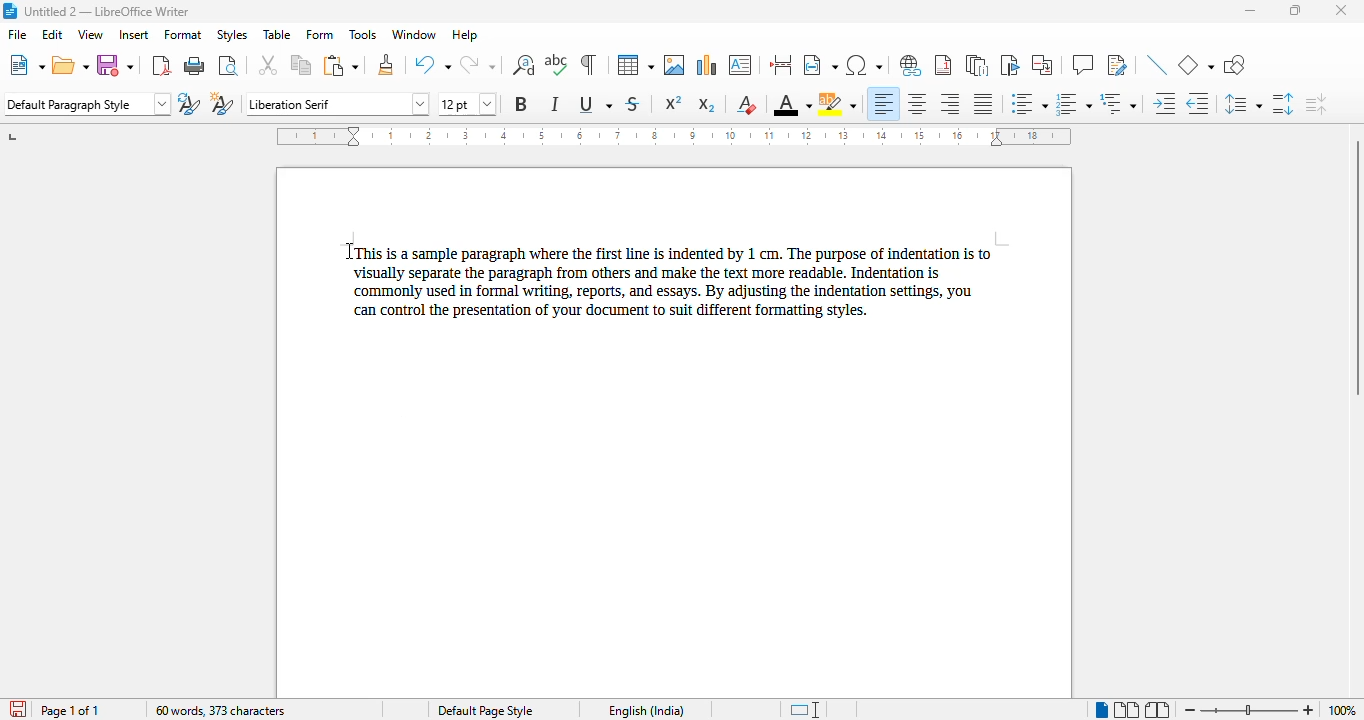 The image size is (1364, 720). Describe the element at coordinates (1251, 11) in the screenshot. I see `minimize` at that location.